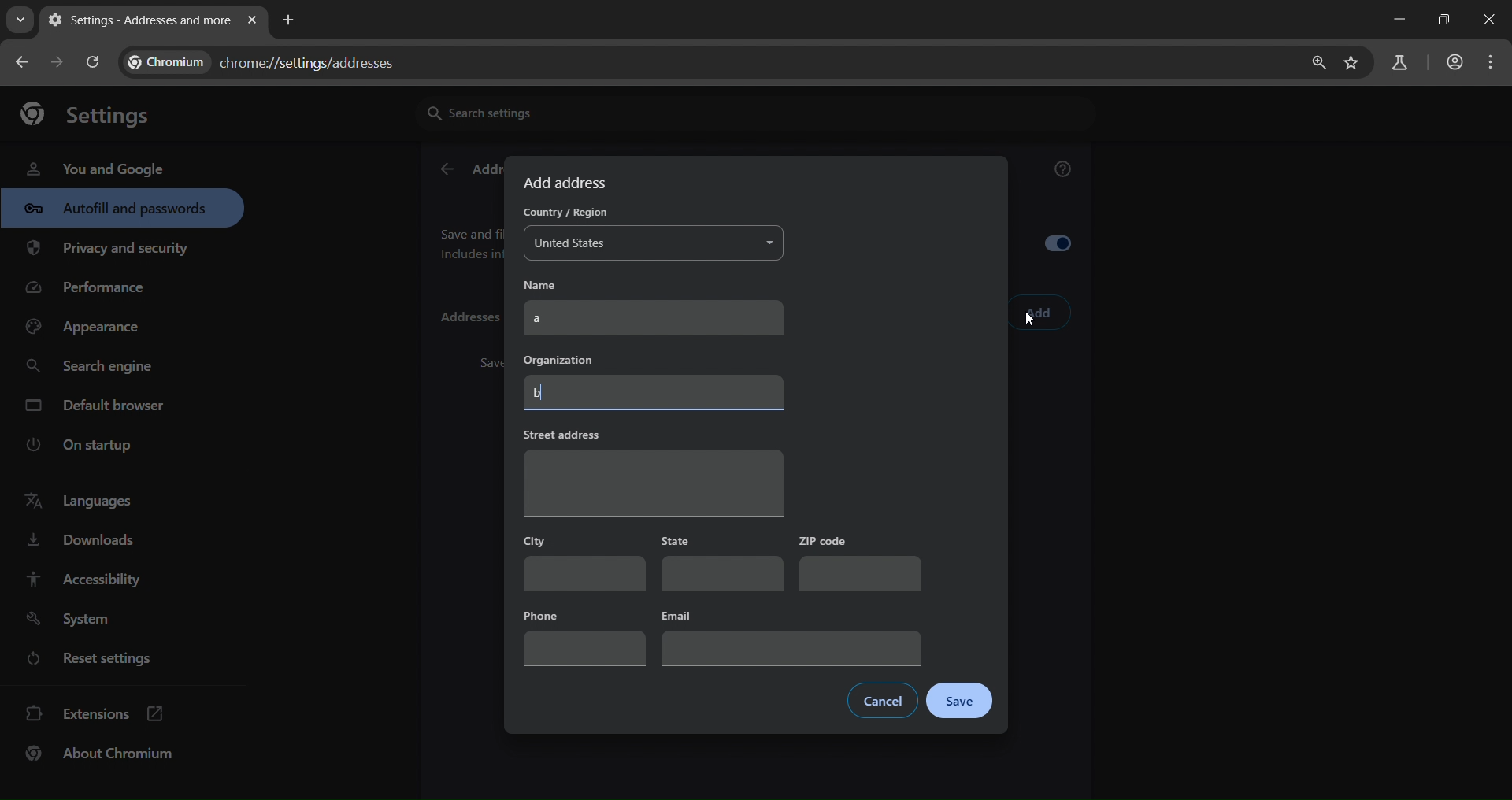  Describe the element at coordinates (959, 702) in the screenshot. I see `save` at that location.